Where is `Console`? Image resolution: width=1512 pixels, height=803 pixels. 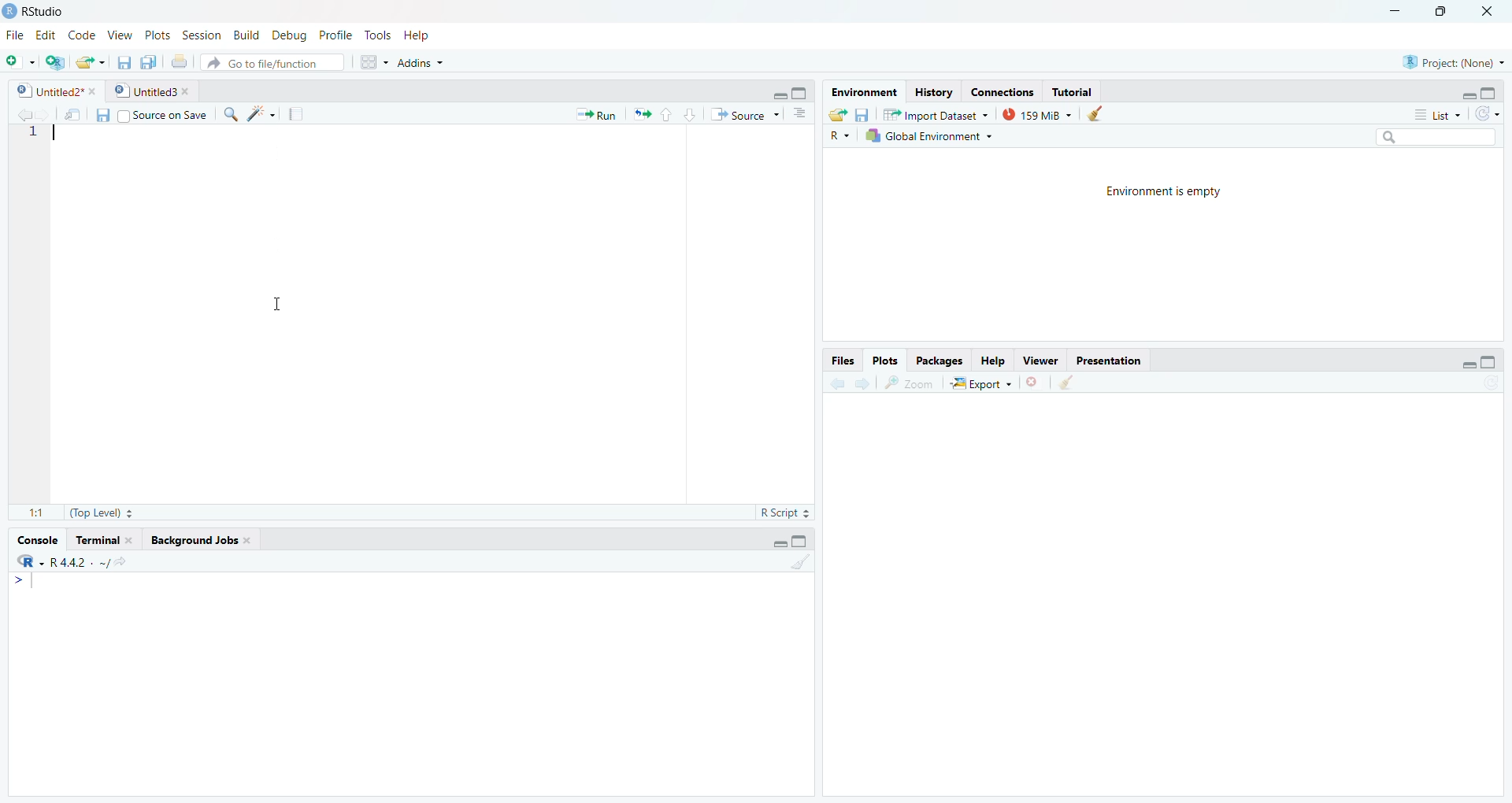 Console is located at coordinates (36, 542).